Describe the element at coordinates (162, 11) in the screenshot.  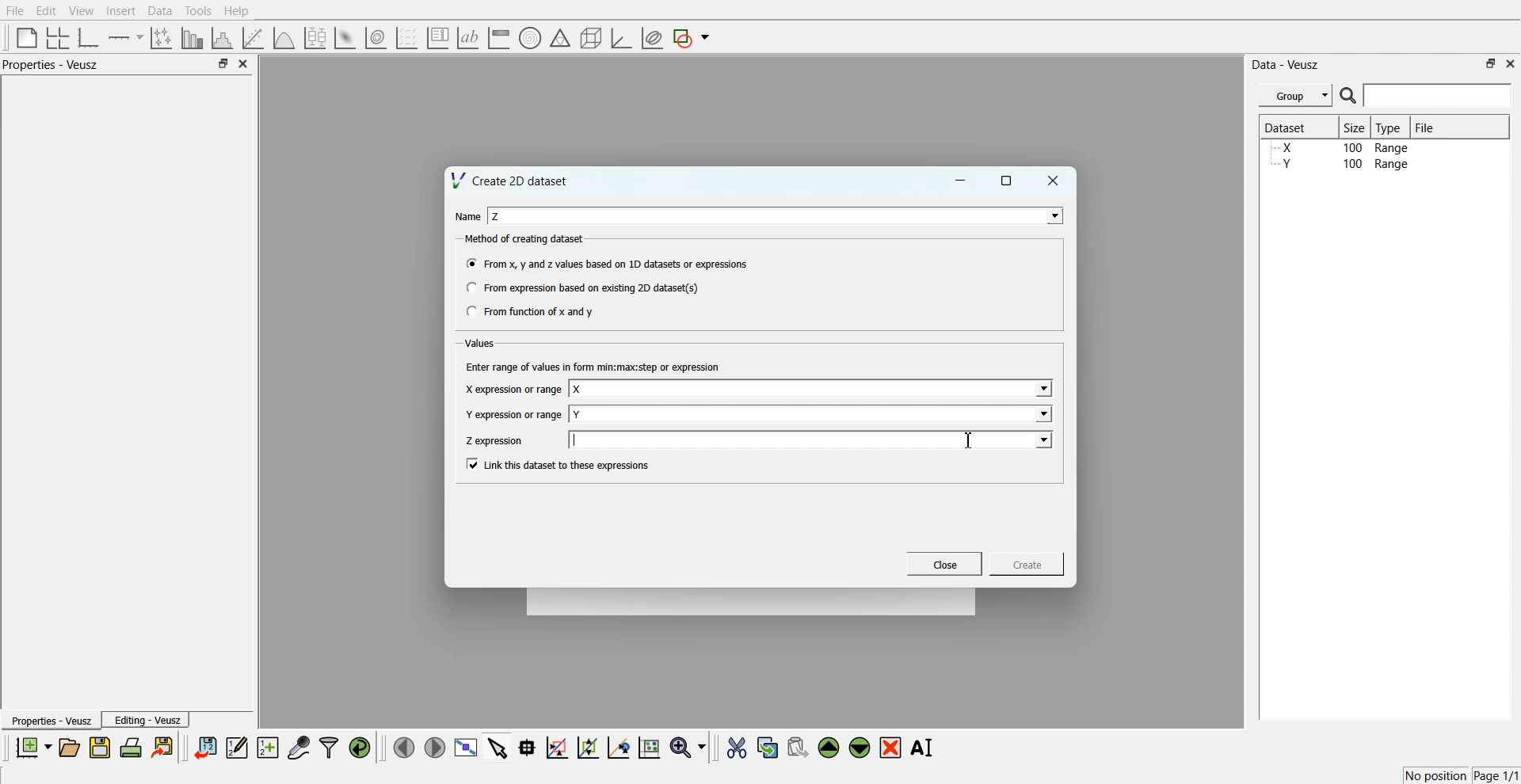
I see `Data` at that location.